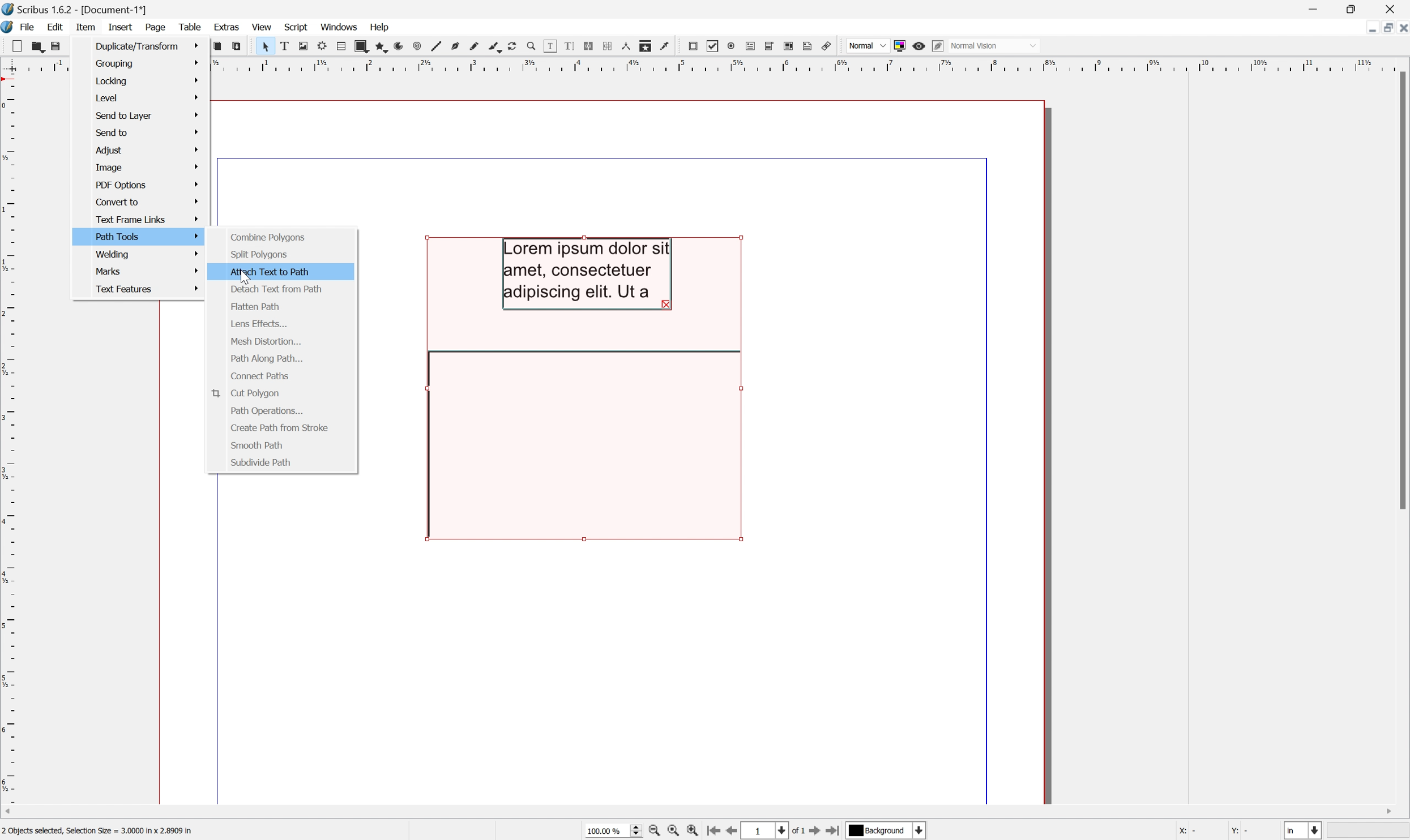  I want to click on Adjust, so click(147, 150).